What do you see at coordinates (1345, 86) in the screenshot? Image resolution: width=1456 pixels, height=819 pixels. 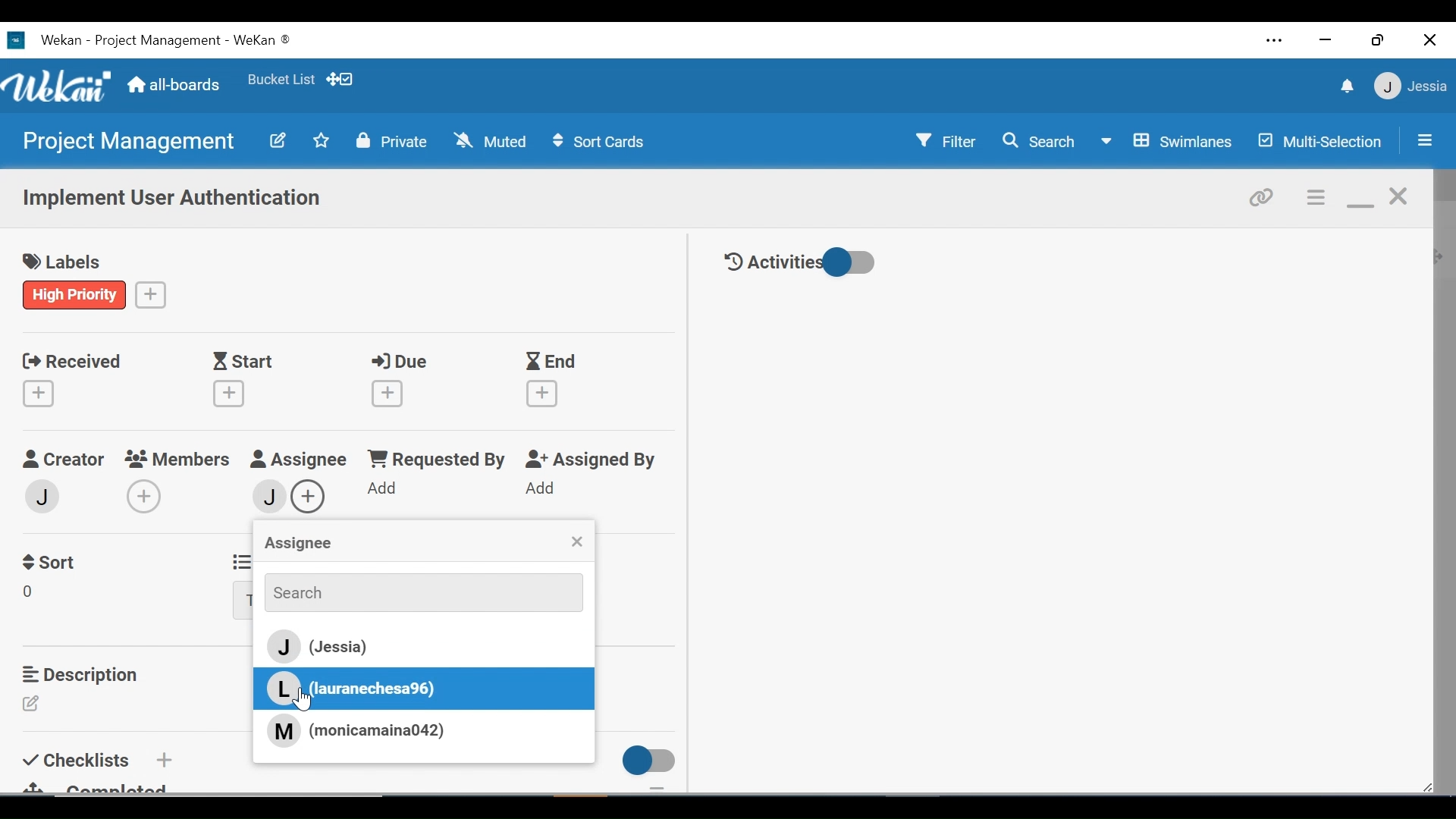 I see `notifications` at bounding box center [1345, 86].